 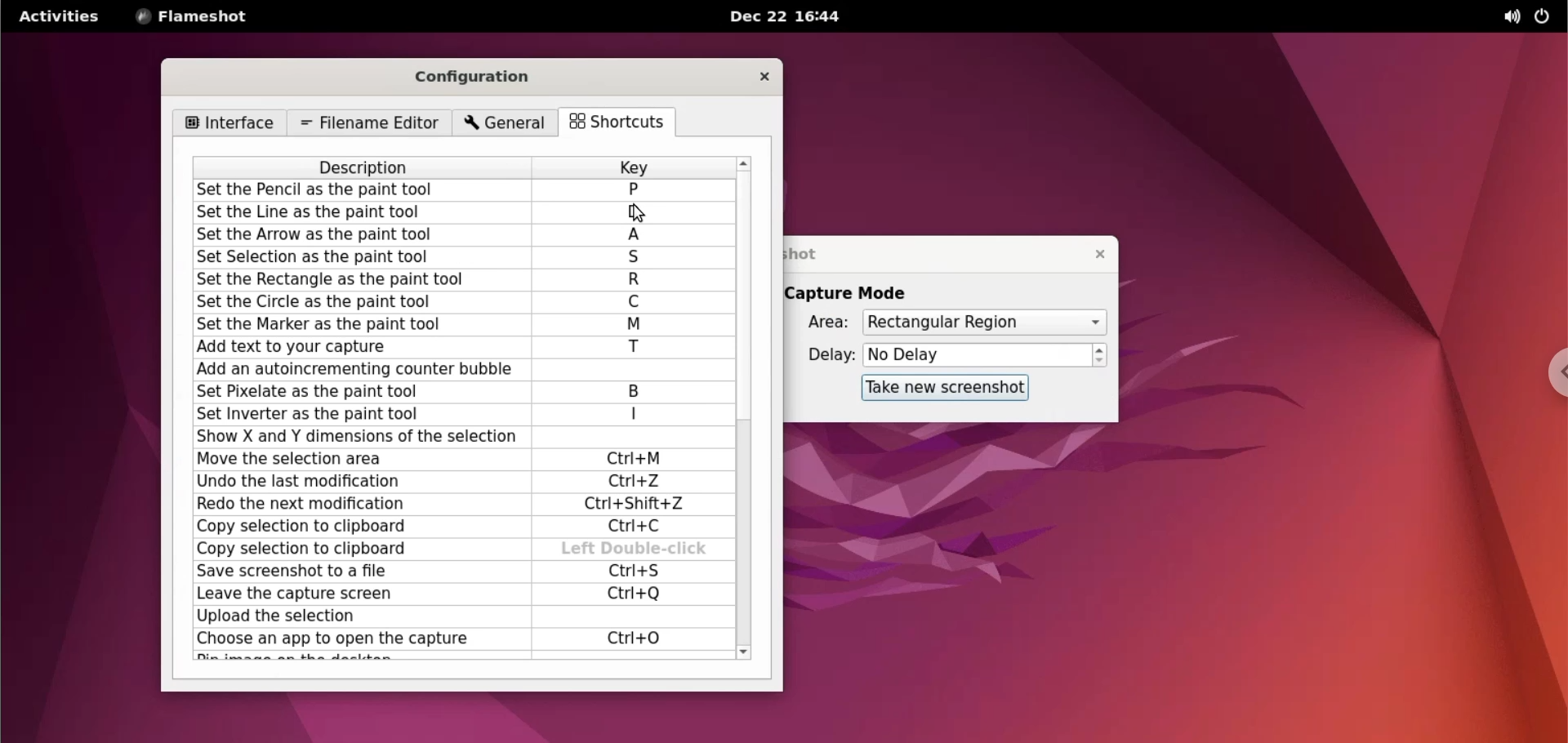 I want to click on delay:, so click(x=822, y=354).